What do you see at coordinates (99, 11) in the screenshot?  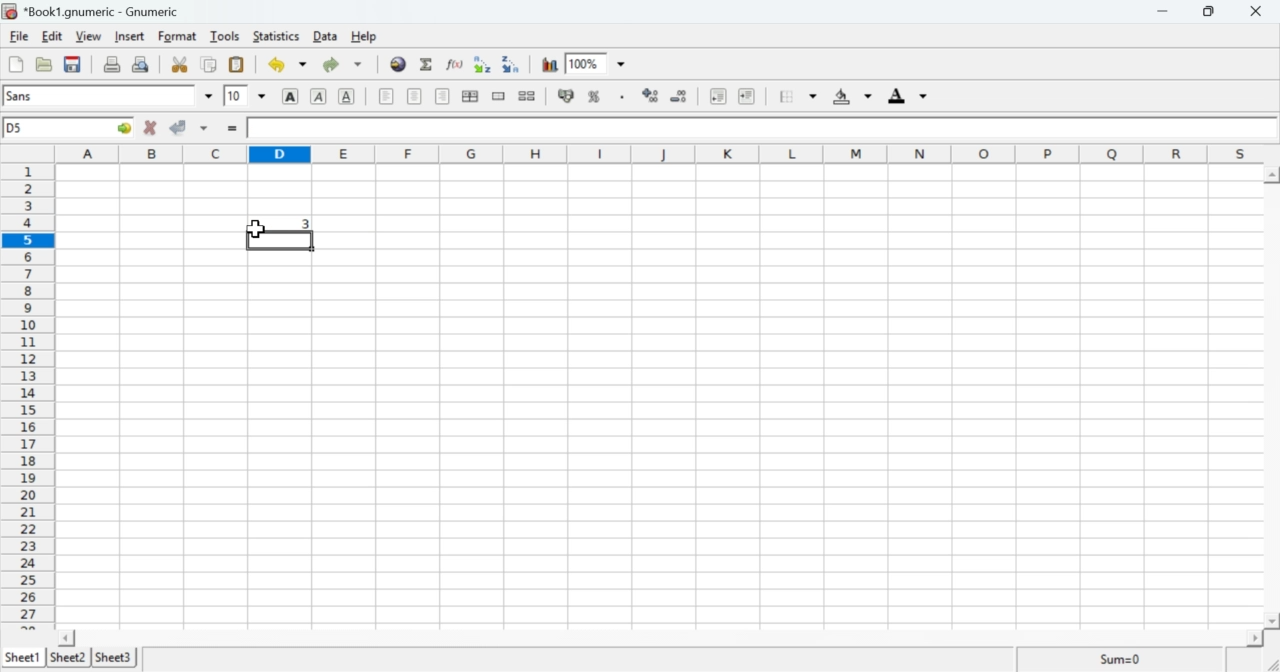 I see `Book1.gnumeric - Gnumeric` at bounding box center [99, 11].